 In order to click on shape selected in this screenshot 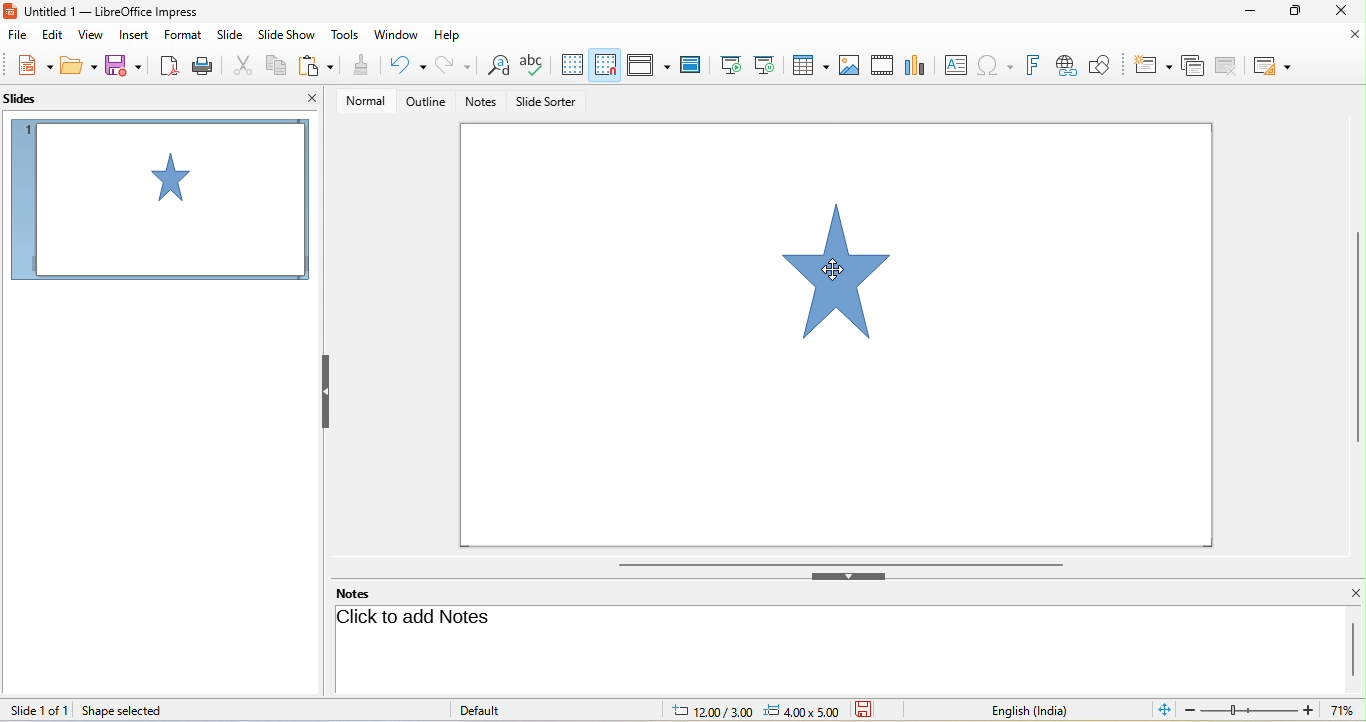, I will do `click(126, 711)`.